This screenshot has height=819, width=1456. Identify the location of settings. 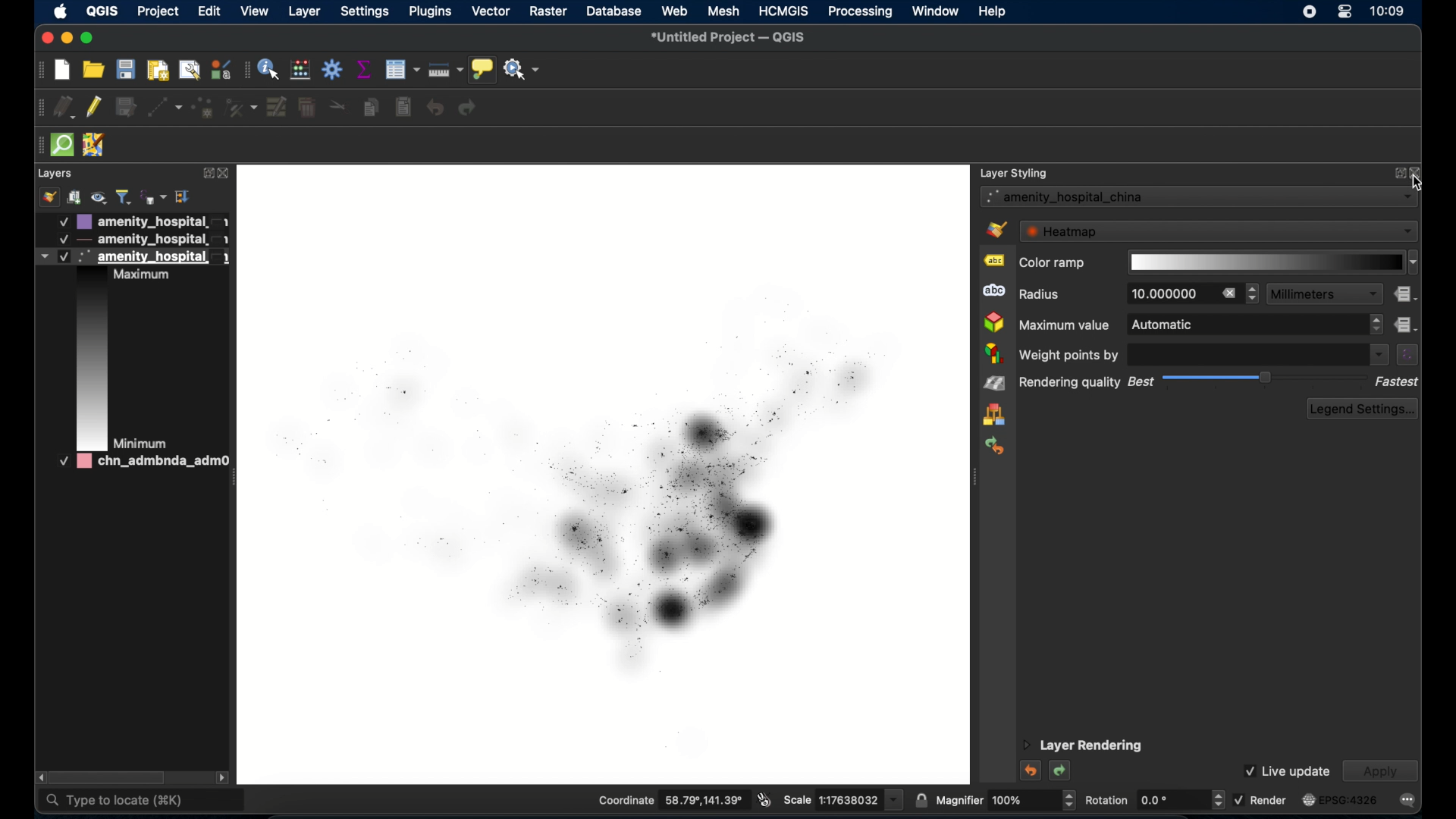
(366, 12).